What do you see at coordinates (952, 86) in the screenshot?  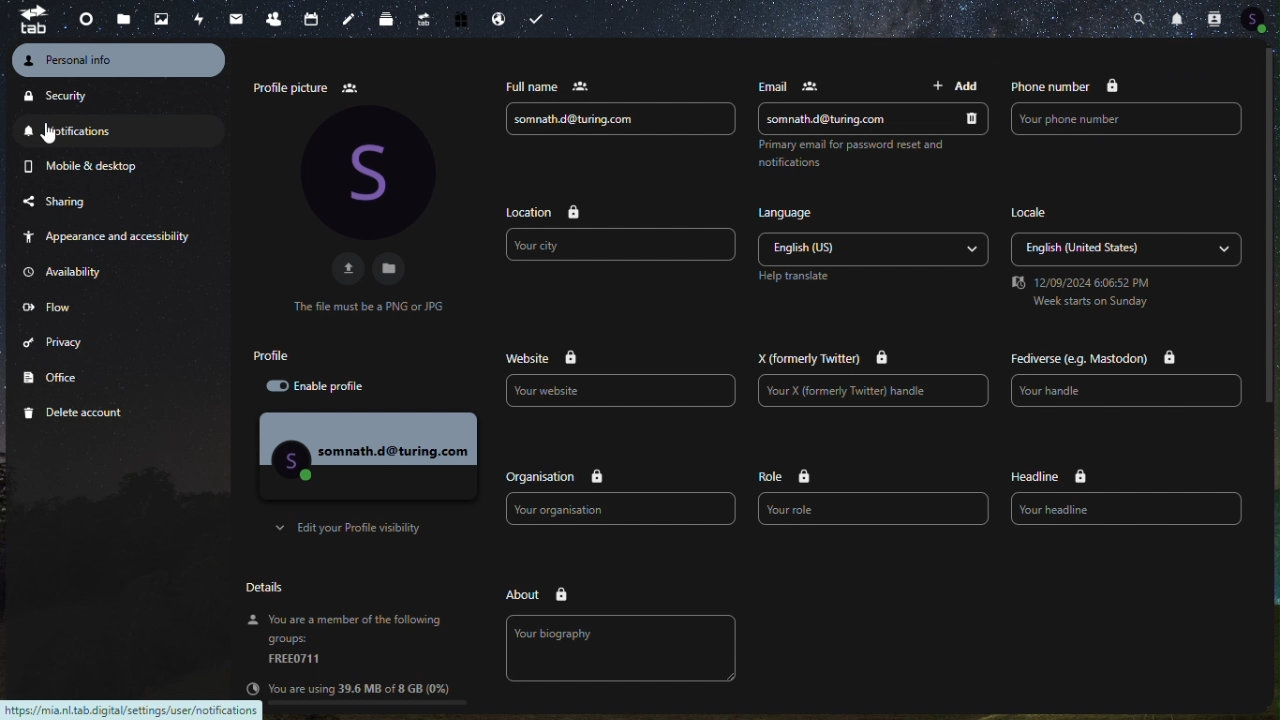 I see `ADD` at bounding box center [952, 86].